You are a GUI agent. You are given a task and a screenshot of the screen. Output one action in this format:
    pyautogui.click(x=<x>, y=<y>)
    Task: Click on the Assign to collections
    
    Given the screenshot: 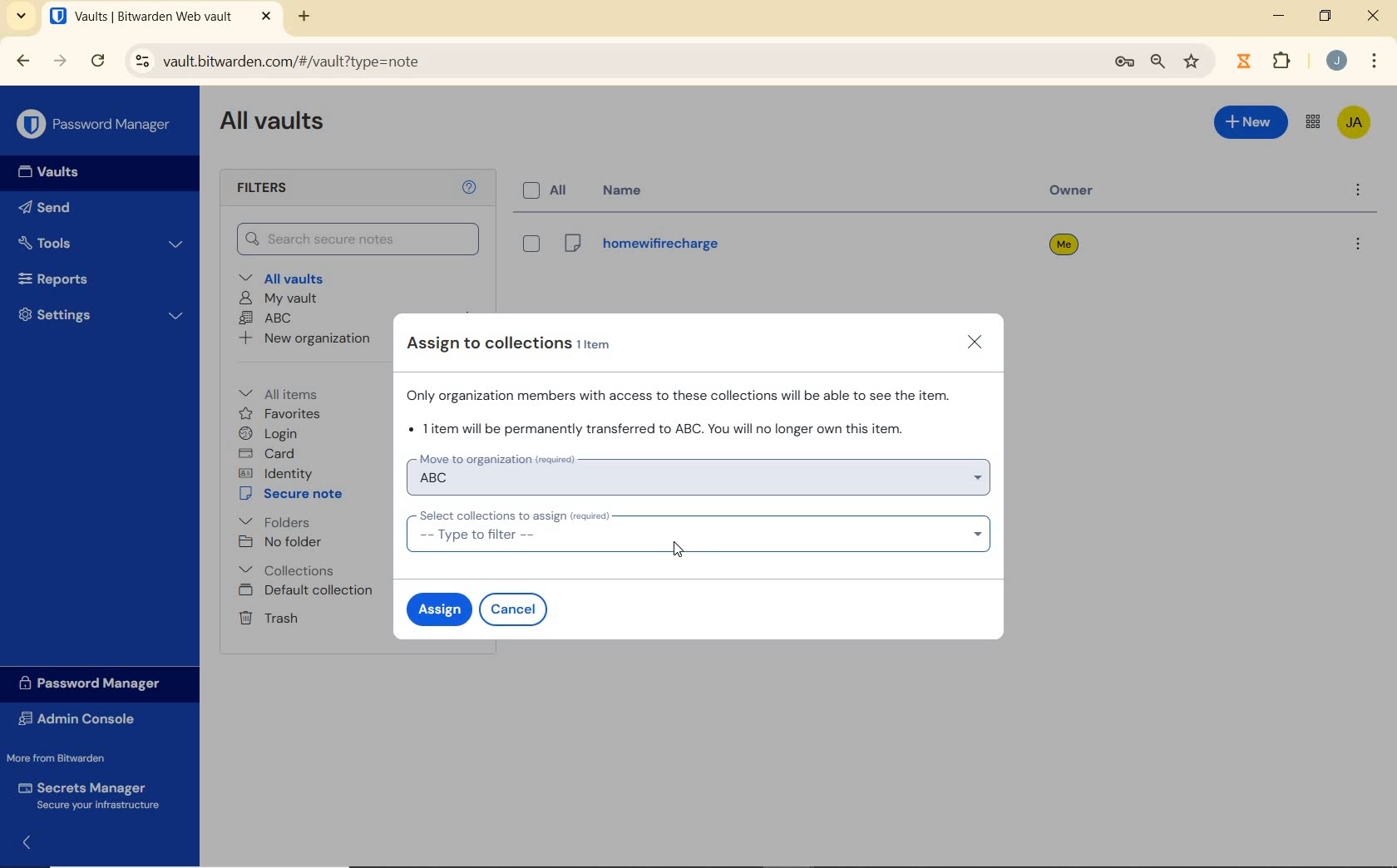 What is the action you would take?
    pyautogui.click(x=520, y=343)
    